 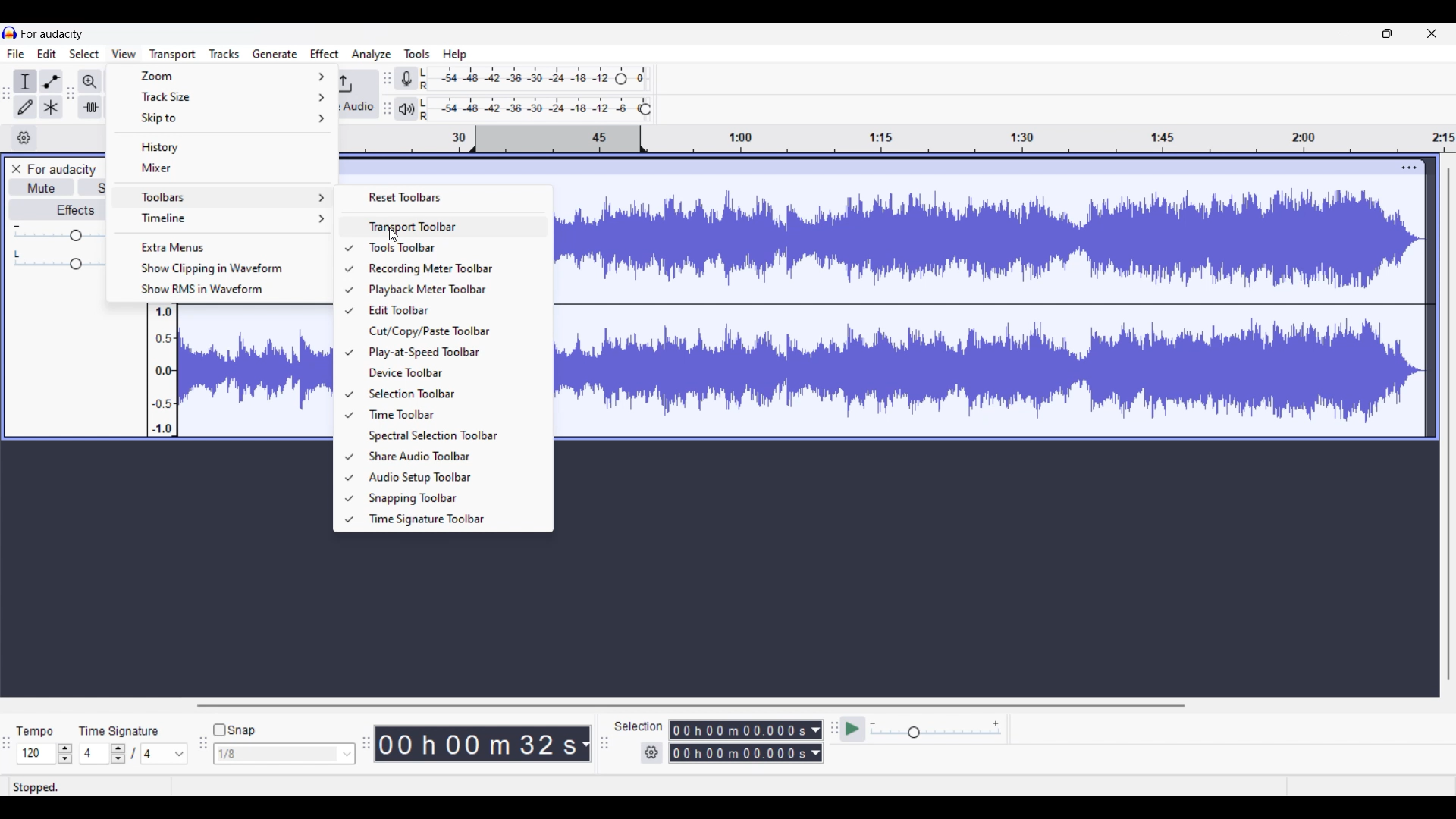 I want to click on Toolbar options, so click(x=223, y=196).